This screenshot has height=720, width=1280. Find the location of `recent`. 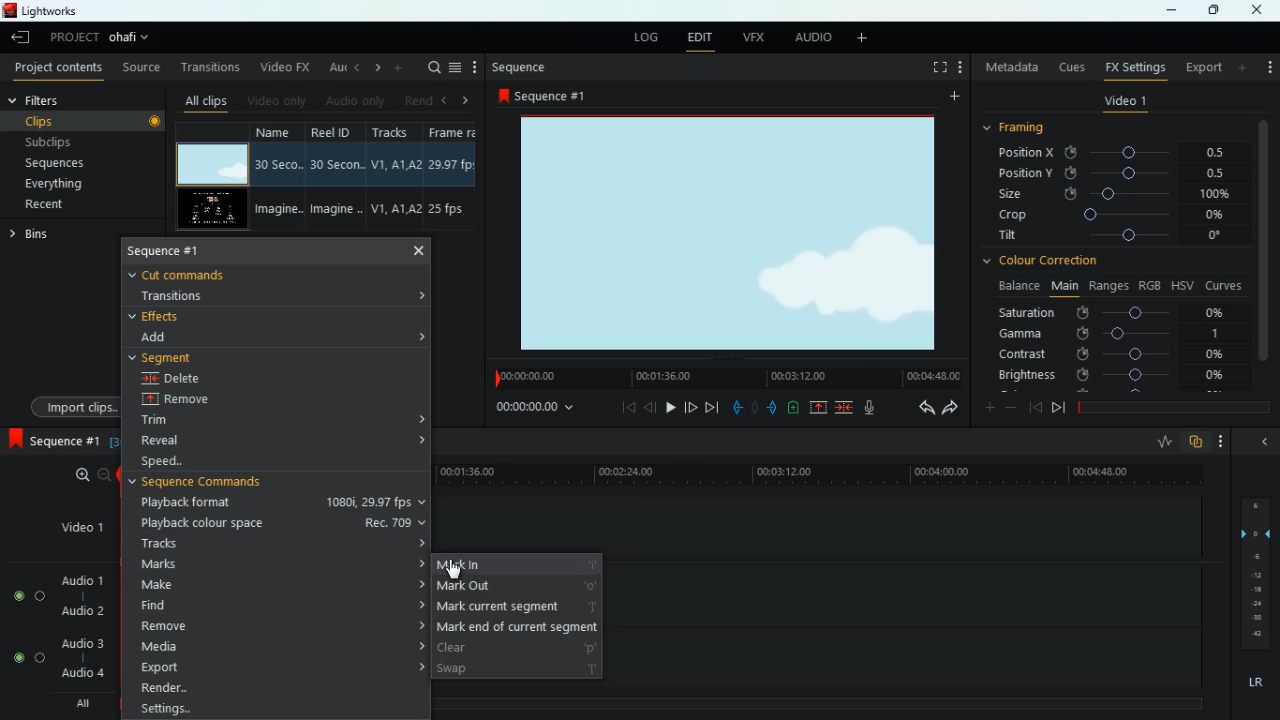

recent is located at coordinates (47, 206).